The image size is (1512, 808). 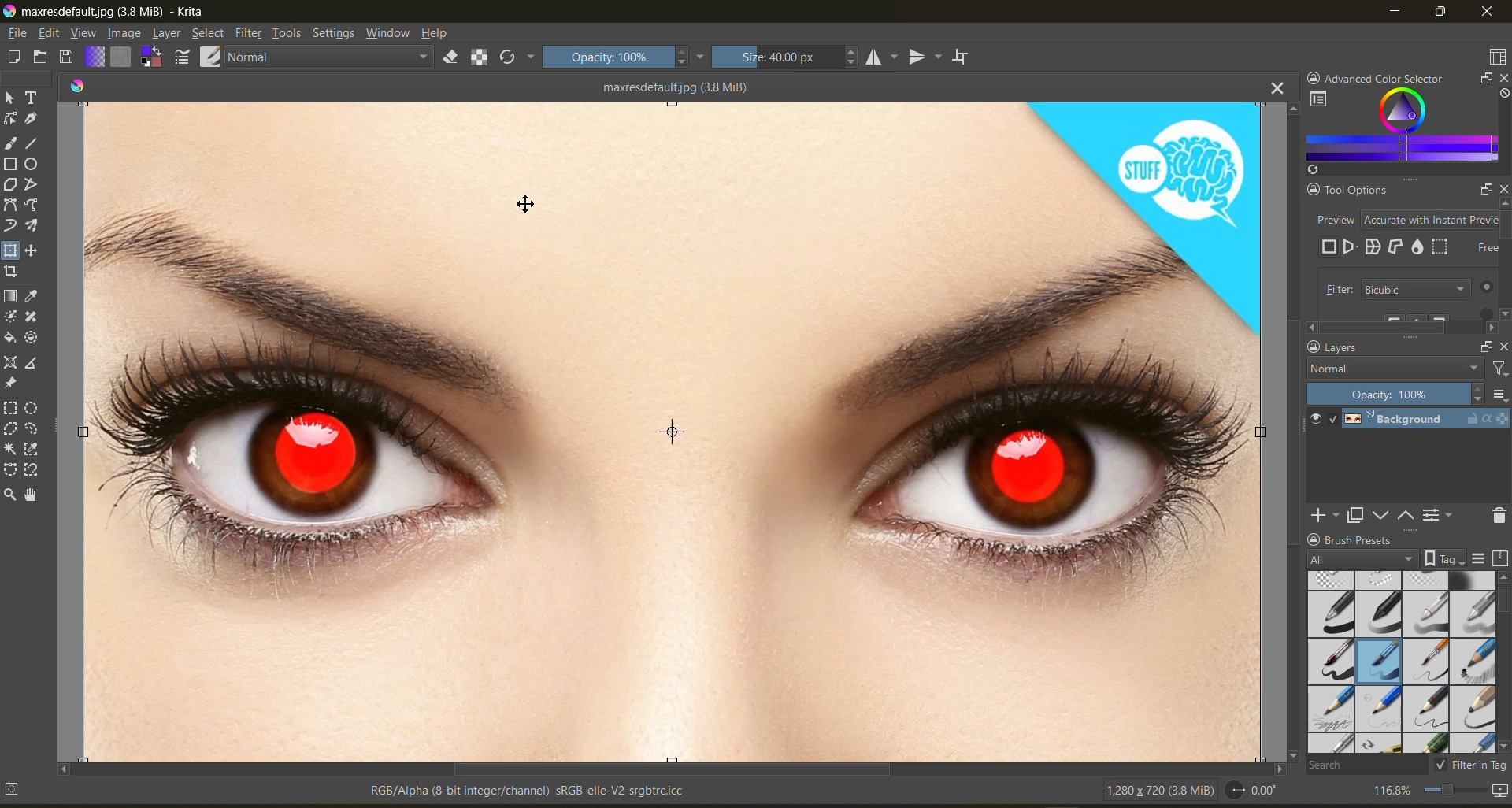 I want to click on create, so click(x=13, y=59).